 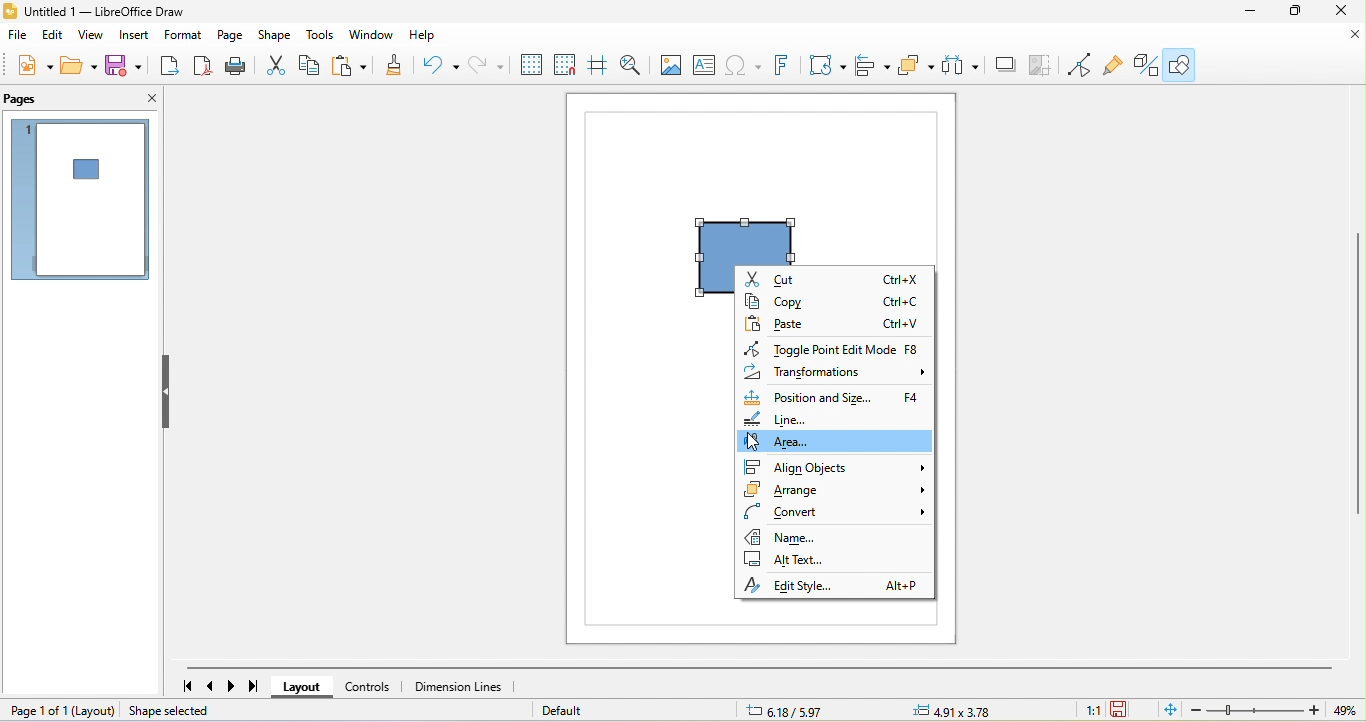 I want to click on edit style, so click(x=838, y=586).